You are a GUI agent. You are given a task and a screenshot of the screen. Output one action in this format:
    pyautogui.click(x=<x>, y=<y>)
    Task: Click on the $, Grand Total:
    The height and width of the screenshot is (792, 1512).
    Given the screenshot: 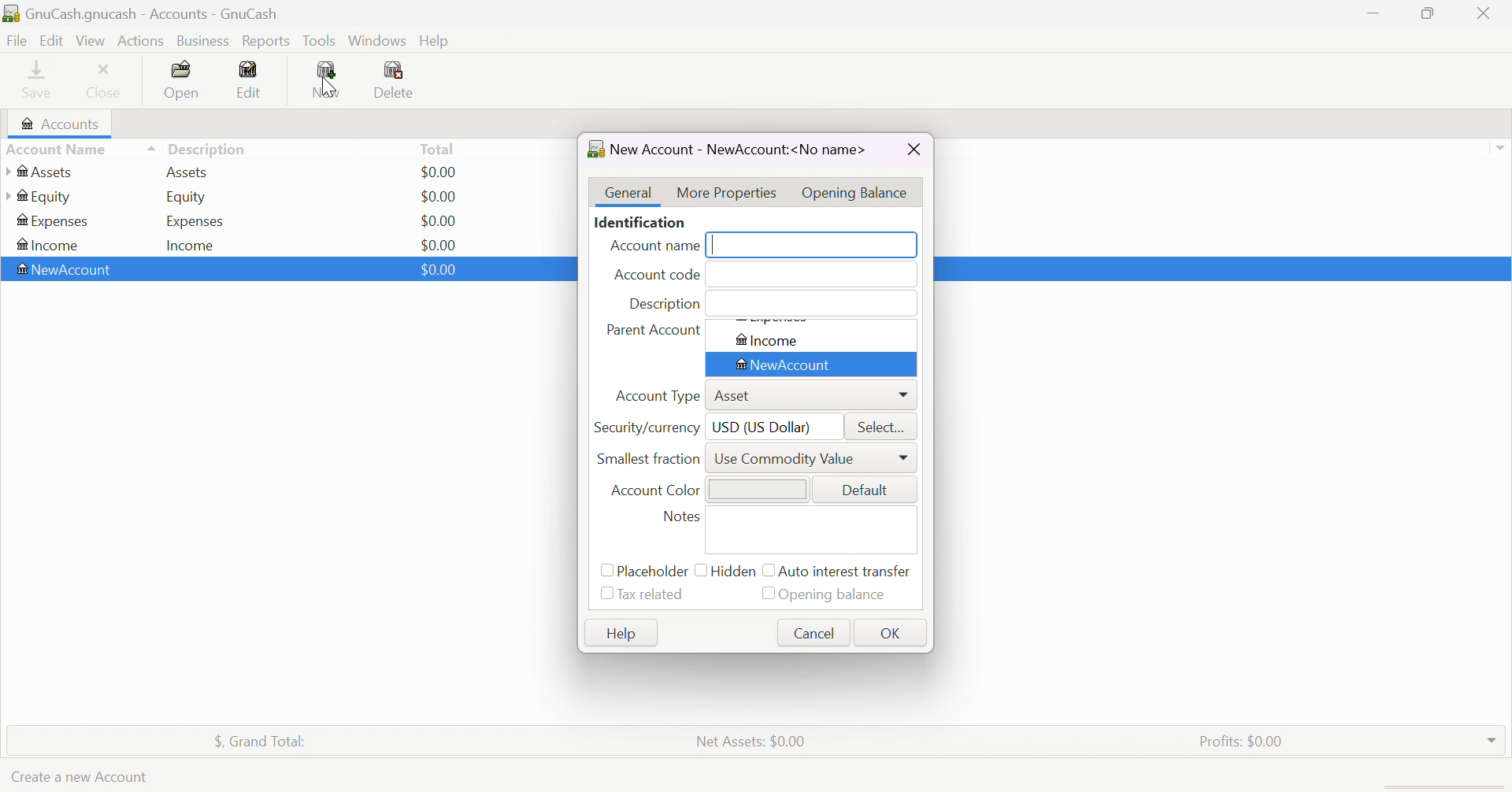 What is the action you would take?
    pyautogui.click(x=258, y=741)
    